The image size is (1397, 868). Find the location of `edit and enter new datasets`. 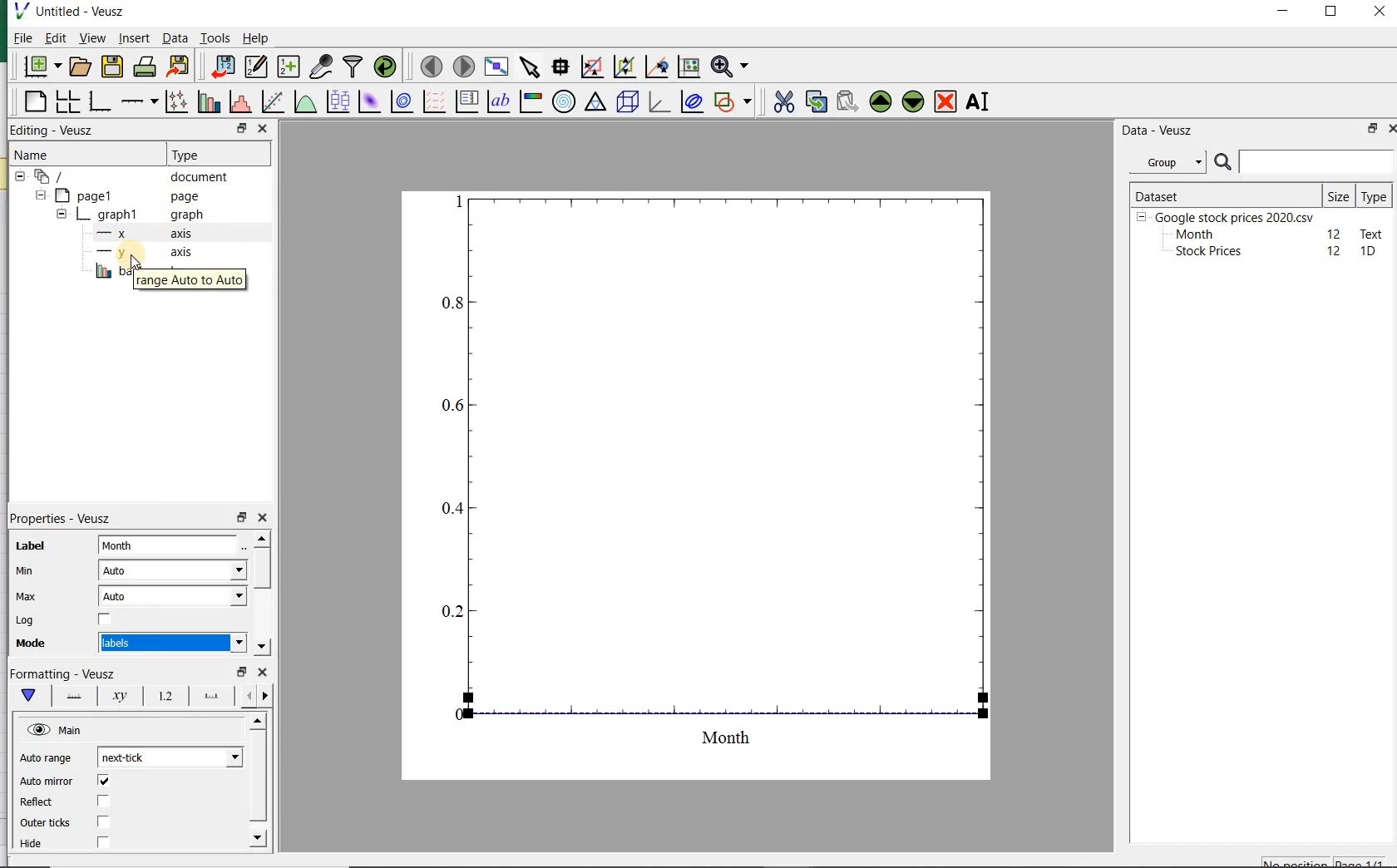

edit and enter new datasets is located at coordinates (255, 67).